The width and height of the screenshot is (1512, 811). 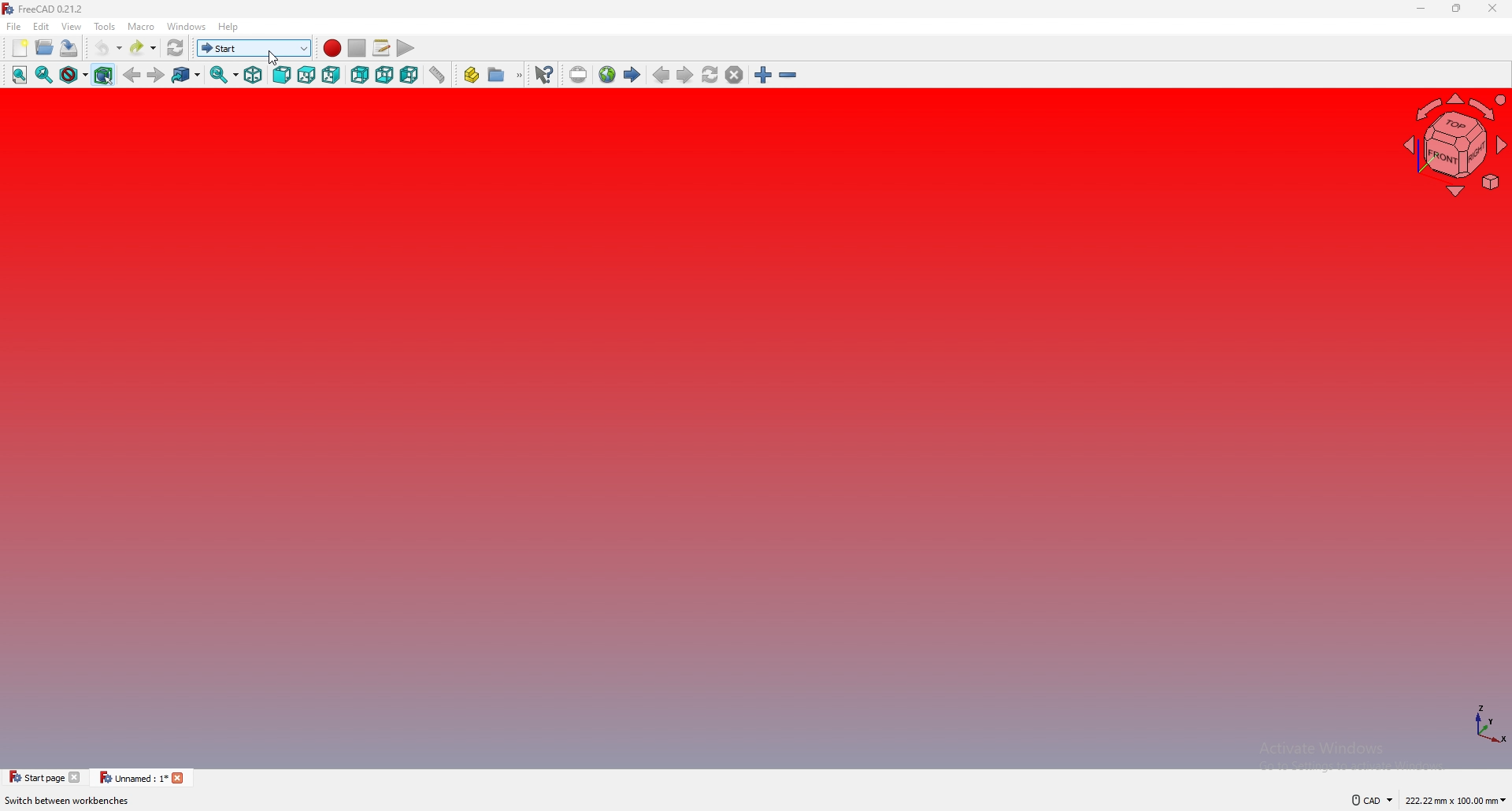 What do you see at coordinates (1373, 800) in the screenshot?
I see `cad navigation` at bounding box center [1373, 800].